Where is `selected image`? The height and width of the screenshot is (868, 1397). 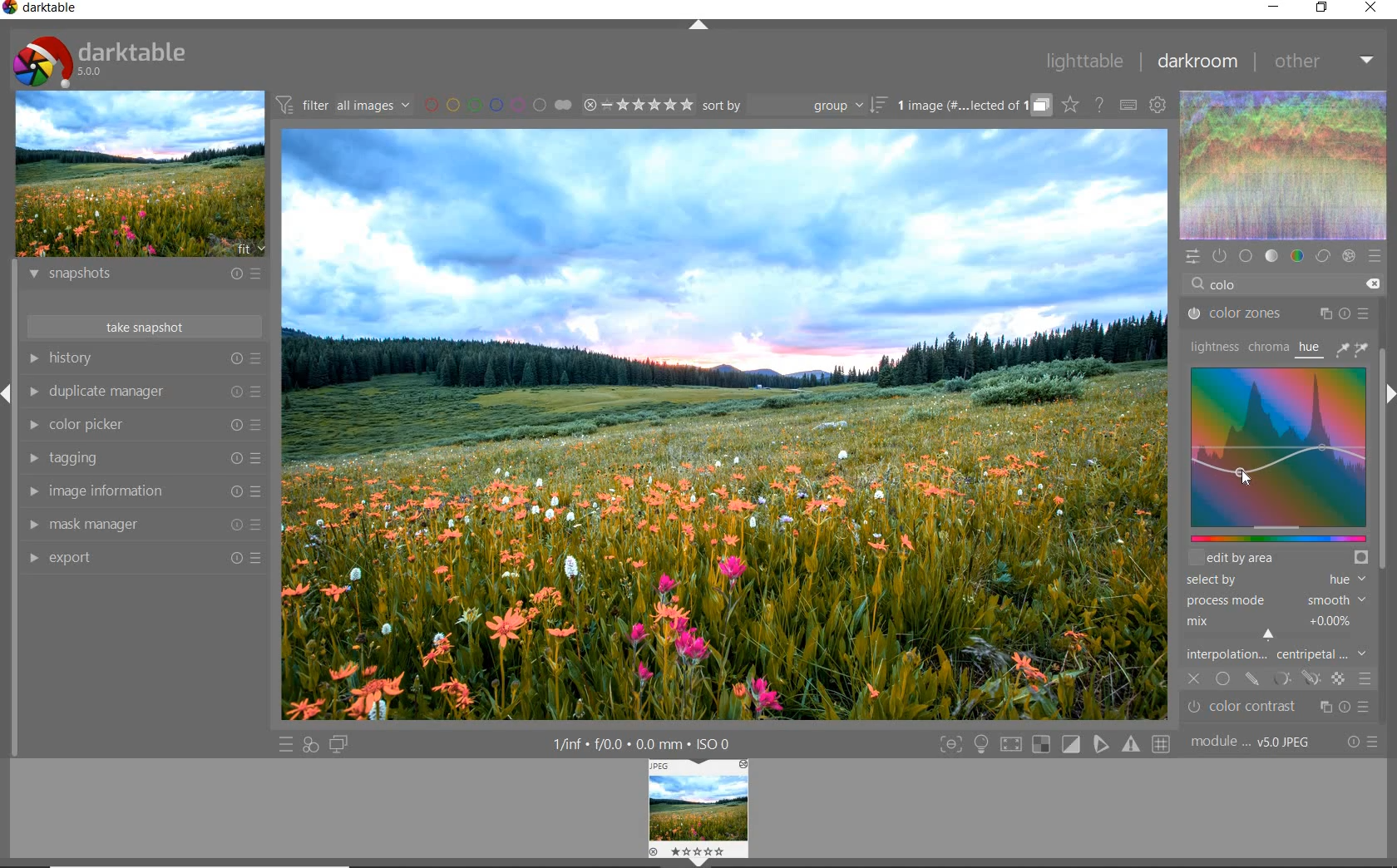
selected image is located at coordinates (727, 423).